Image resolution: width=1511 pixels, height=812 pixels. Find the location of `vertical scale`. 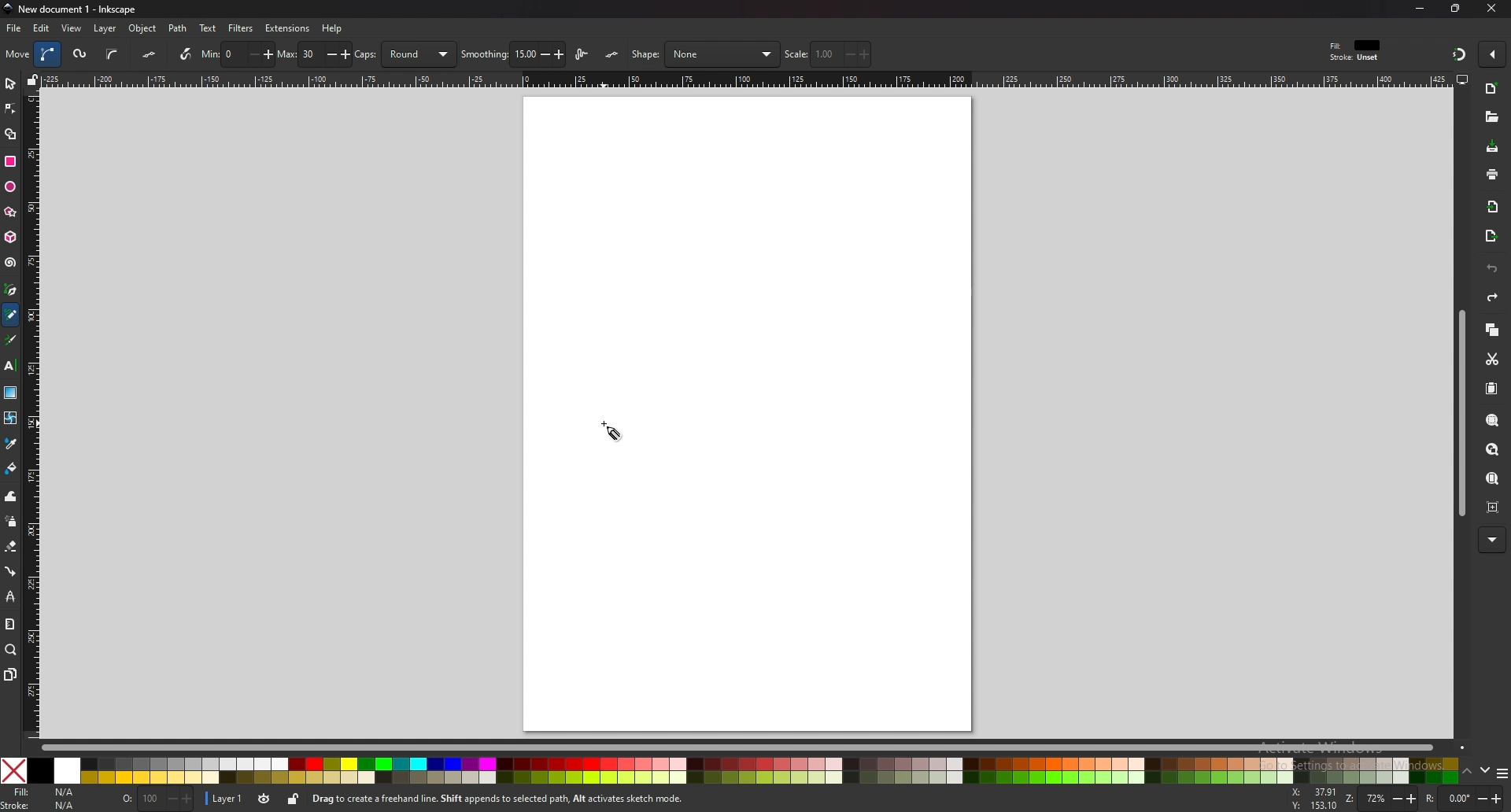

vertical scale is located at coordinates (31, 415).